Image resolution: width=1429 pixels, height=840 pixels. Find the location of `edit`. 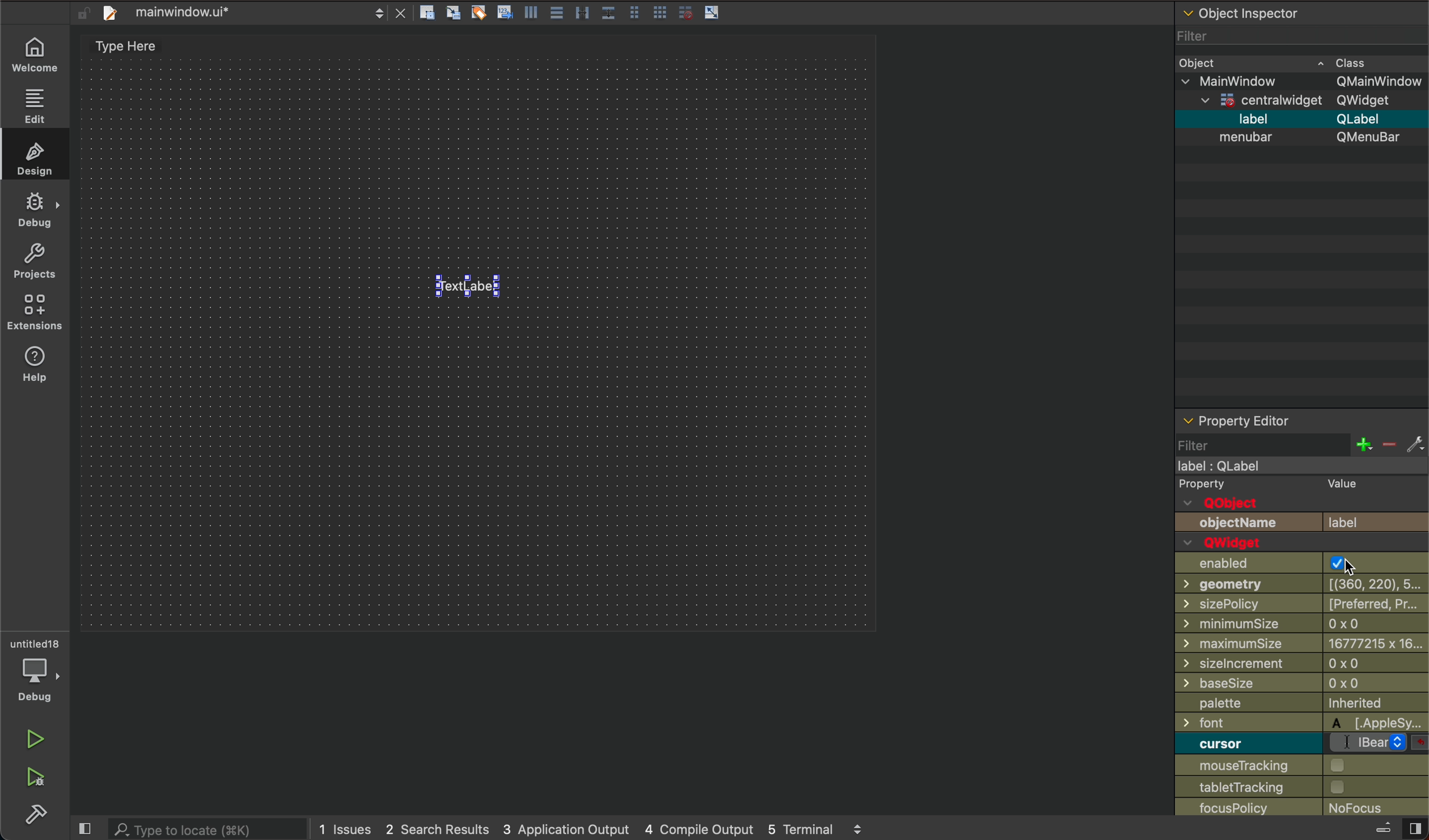

edit is located at coordinates (38, 108).